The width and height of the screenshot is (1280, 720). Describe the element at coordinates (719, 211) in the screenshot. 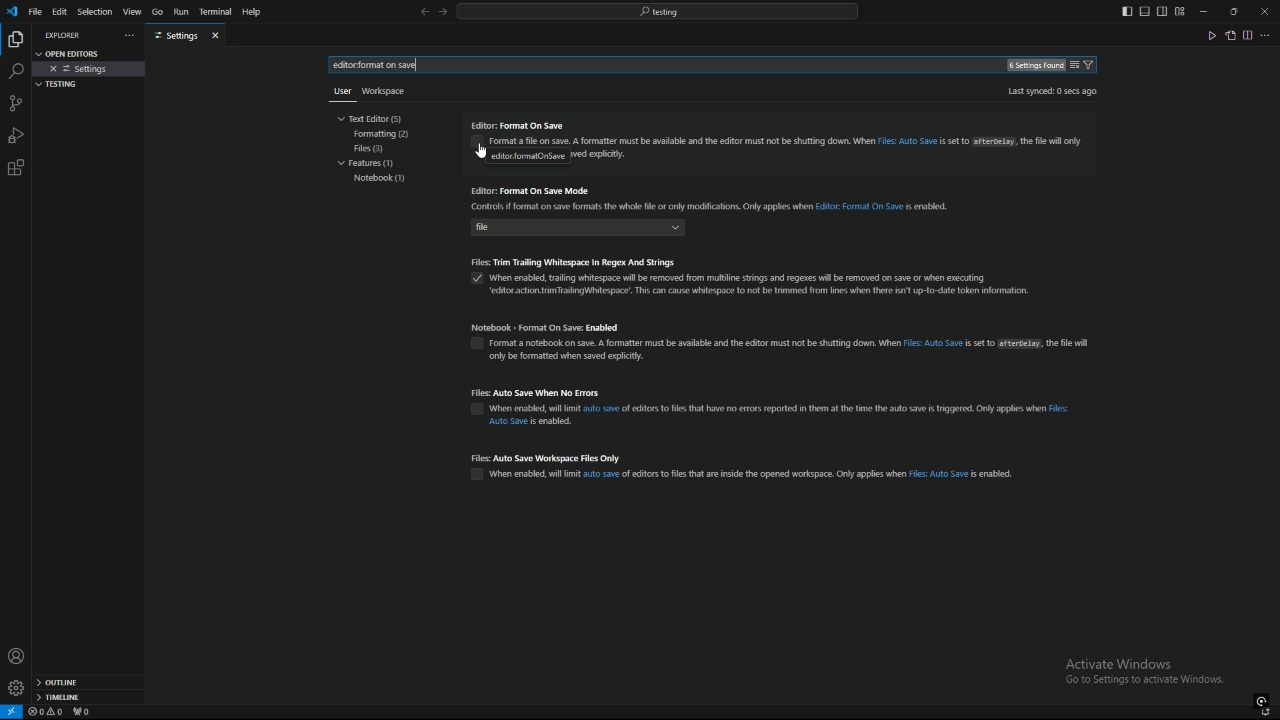

I see `editor format on save mode` at that location.